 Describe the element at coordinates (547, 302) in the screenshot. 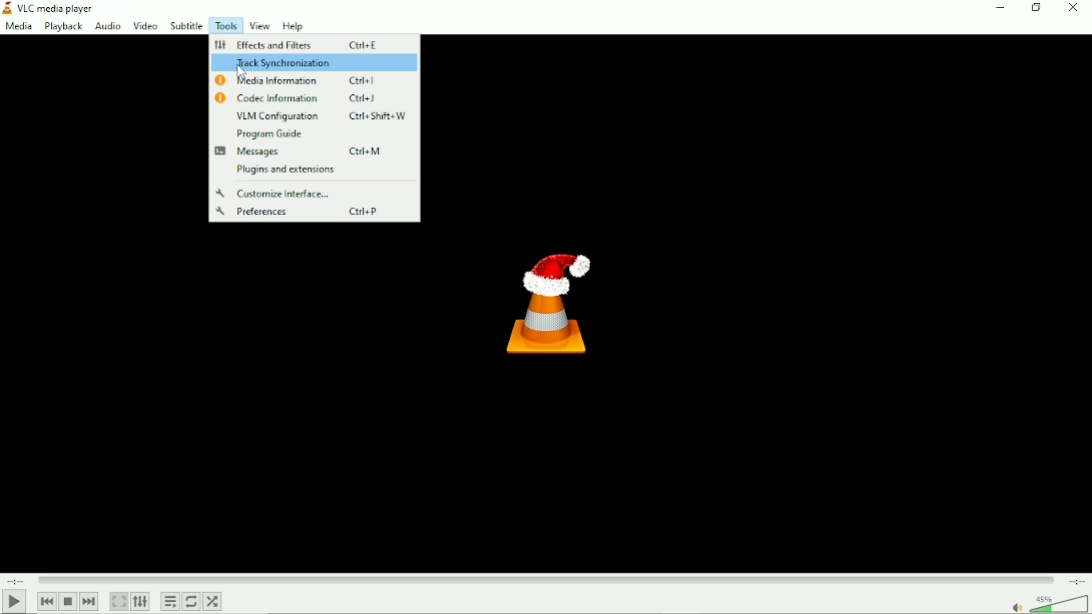

I see `Logo` at that location.